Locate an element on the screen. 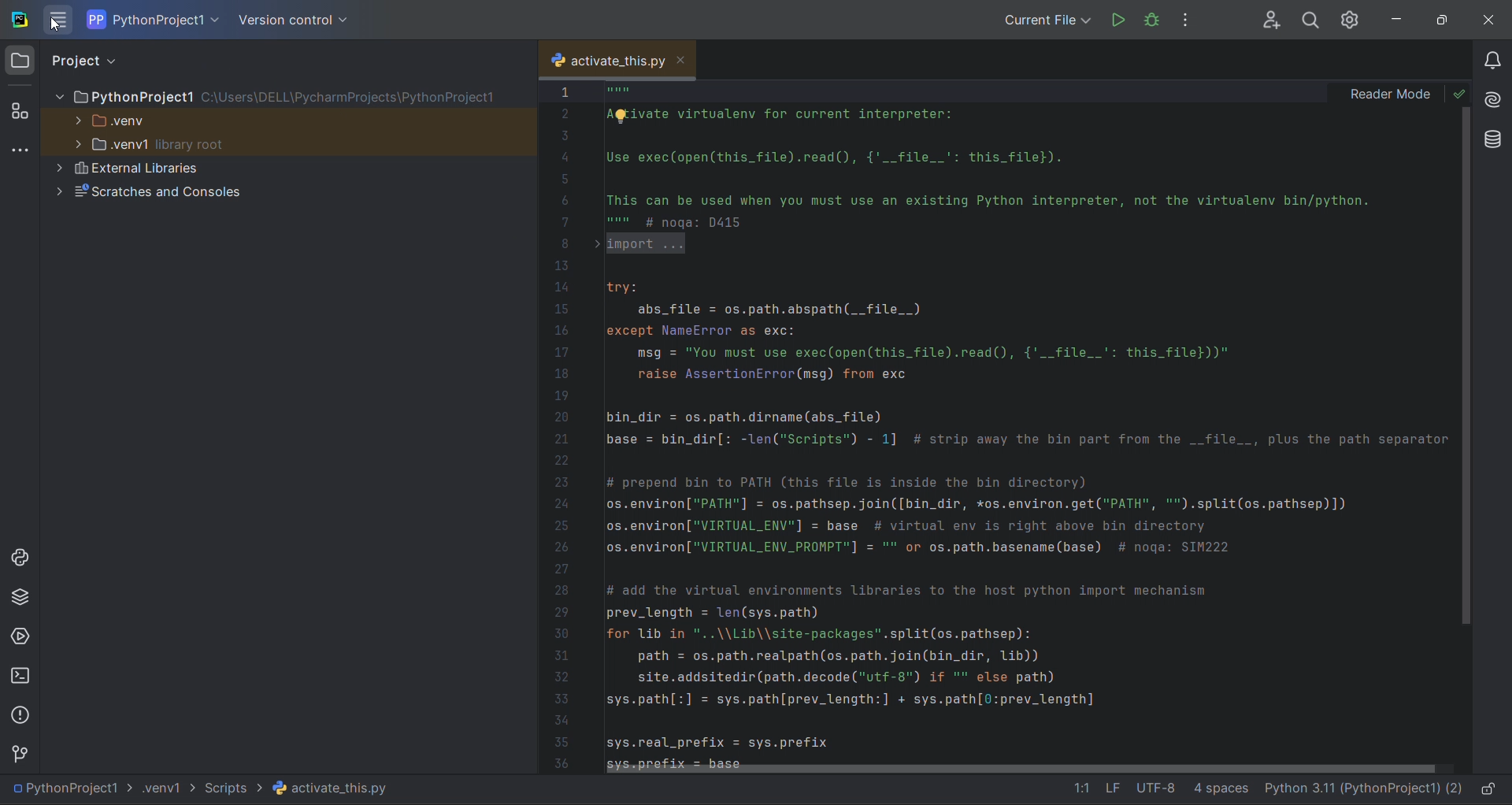 Image resolution: width=1512 pixels, height=805 pixels. code editor is located at coordinates (1017, 422).